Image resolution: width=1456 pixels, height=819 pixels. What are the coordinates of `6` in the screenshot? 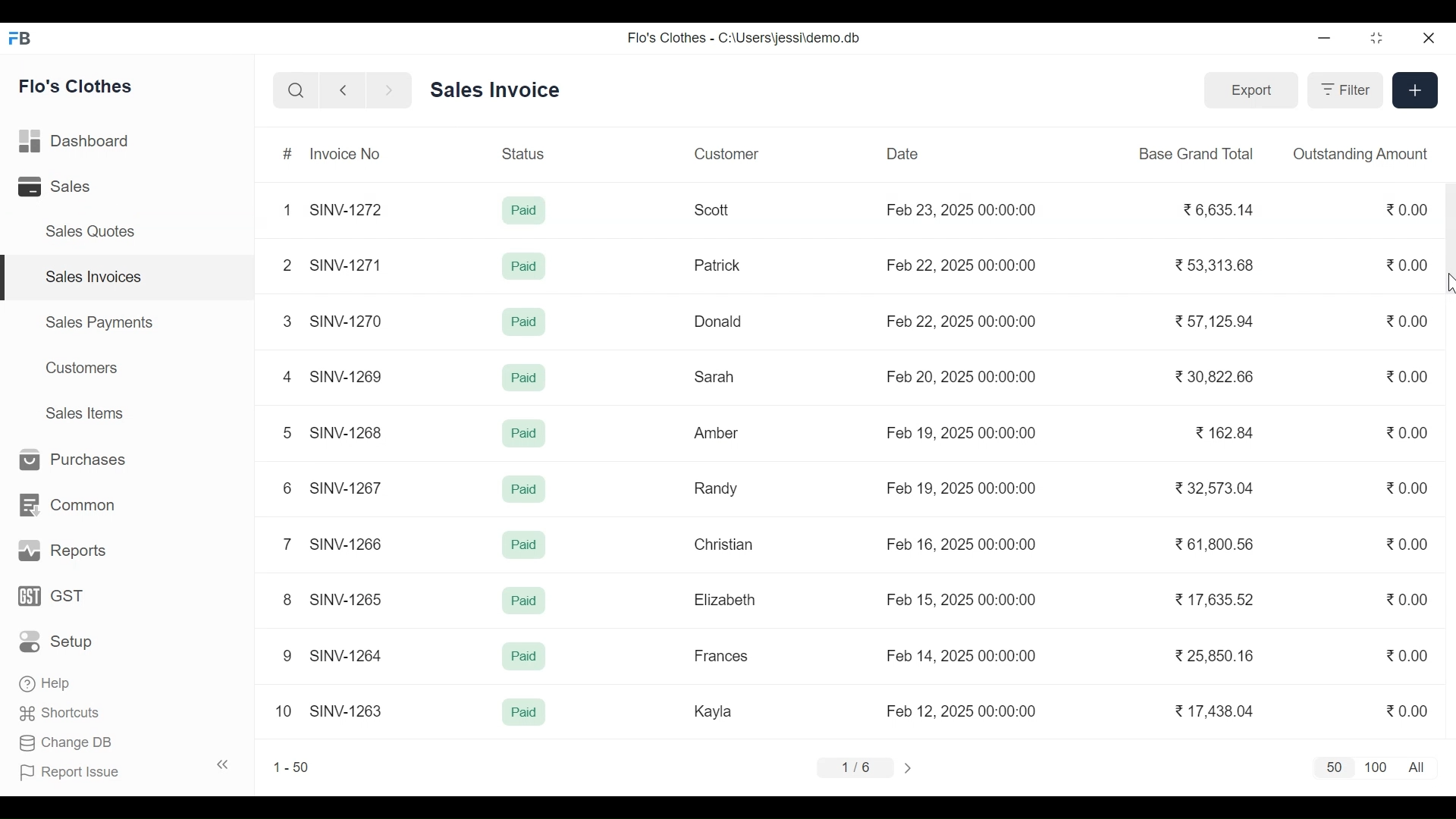 It's located at (285, 488).